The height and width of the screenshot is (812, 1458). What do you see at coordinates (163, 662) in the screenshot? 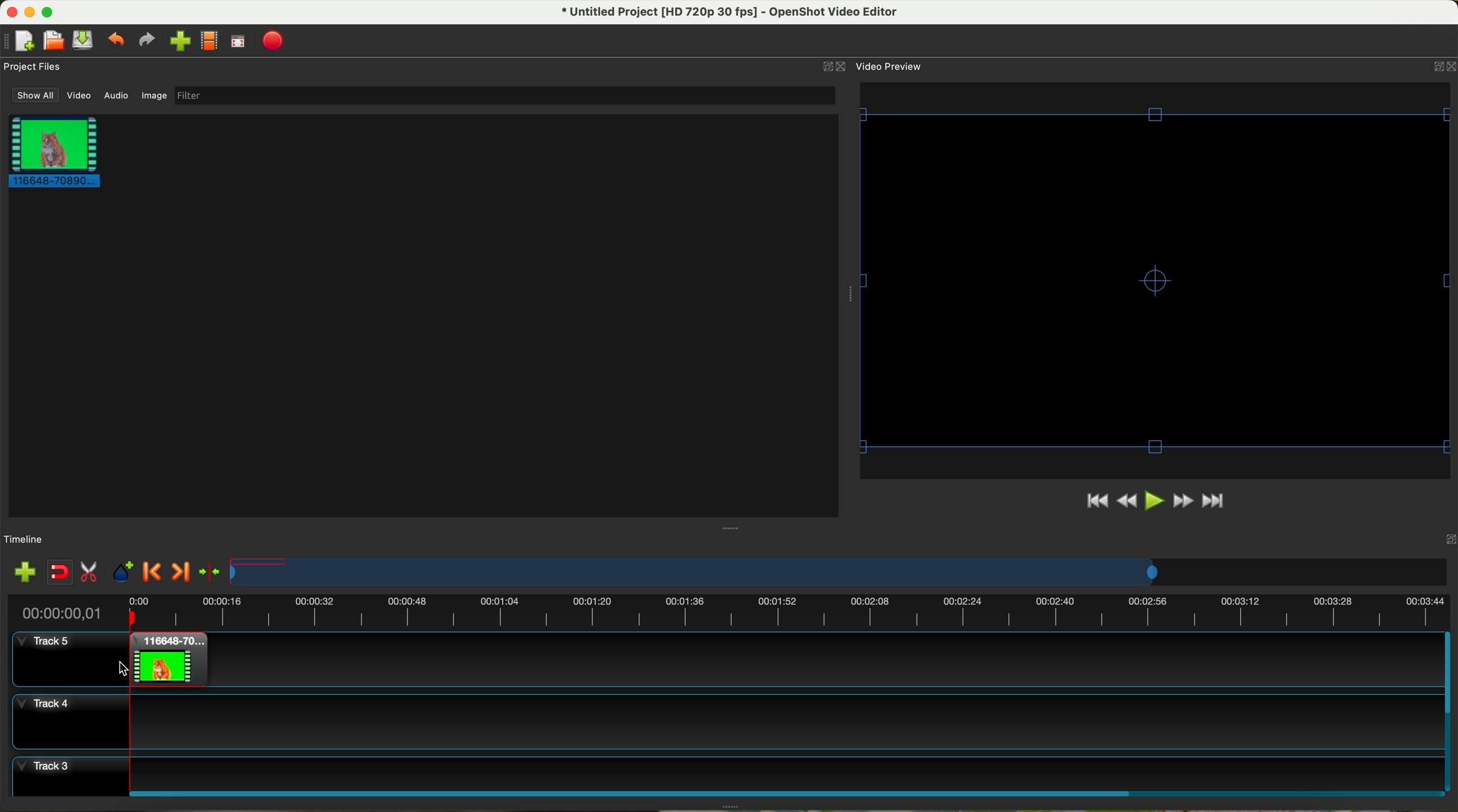
I see `drag video to track 5` at bounding box center [163, 662].